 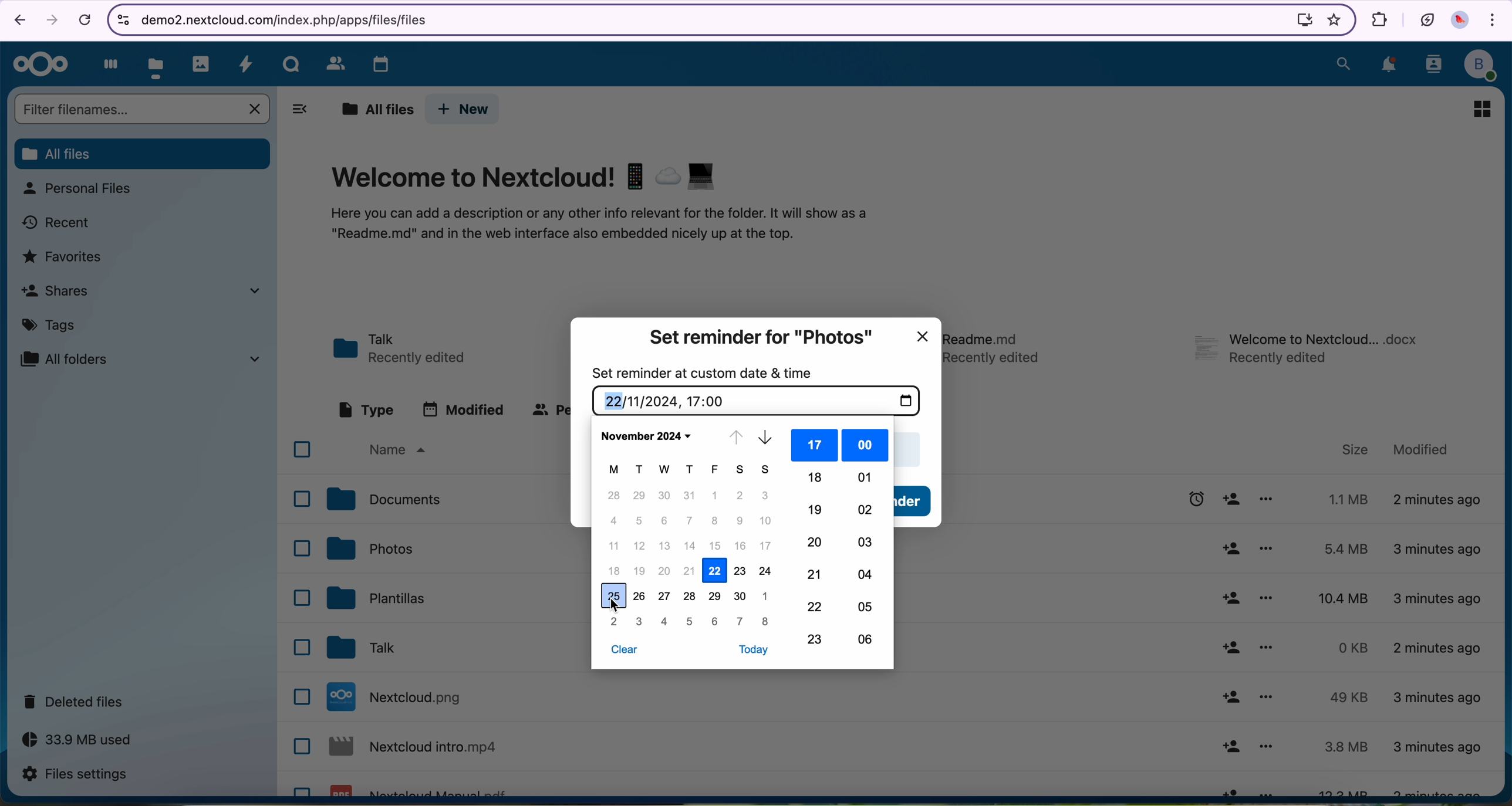 I want to click on wednesday, so click(x=666, y=470).